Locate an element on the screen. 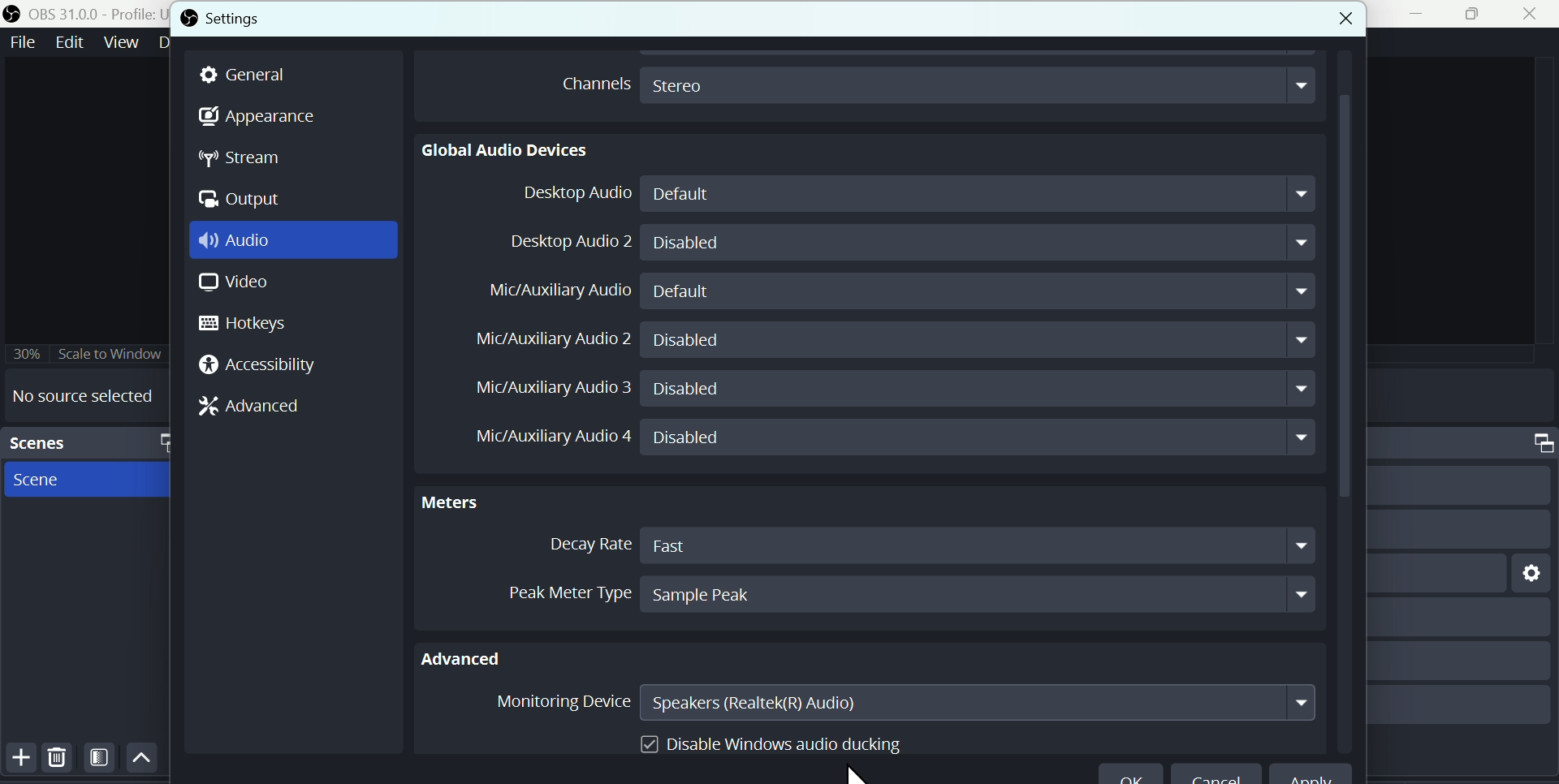 The width and height of the screenshot is (1559, 784). Stereo is located at coordinates (979, 84).